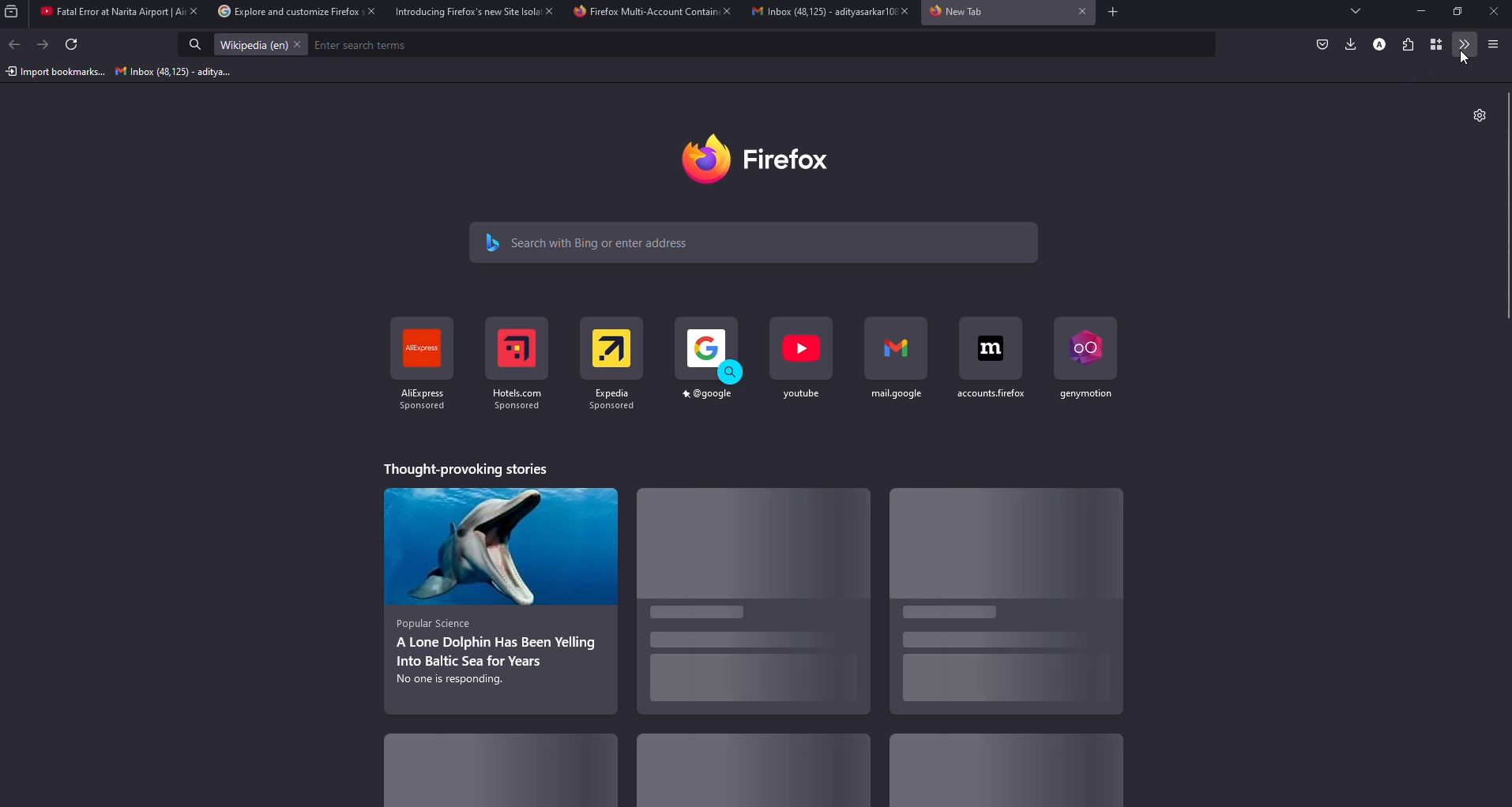  Describe the element at coordinates (515, 363) in the screenshot. I see `shortcut` at that location.